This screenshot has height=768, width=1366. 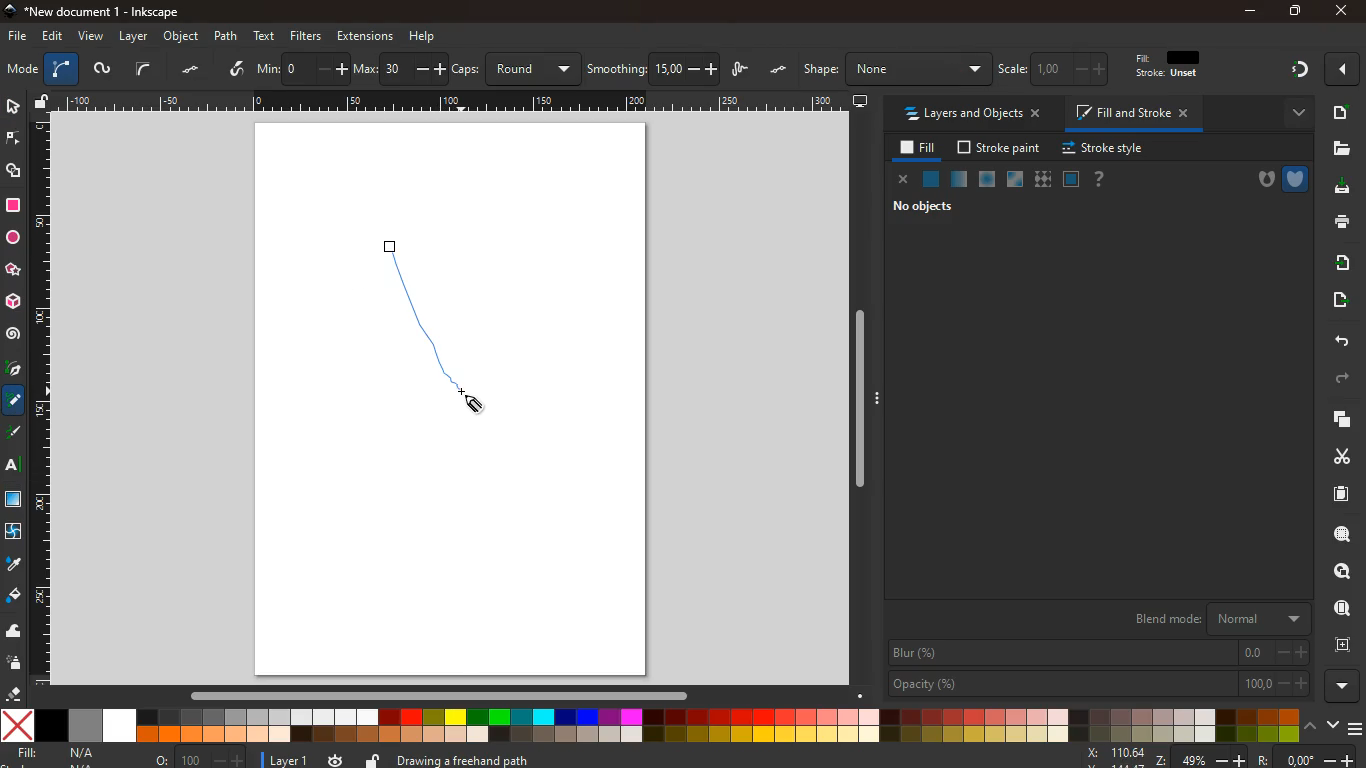 I want to click on text, so click(x=266, y=37).